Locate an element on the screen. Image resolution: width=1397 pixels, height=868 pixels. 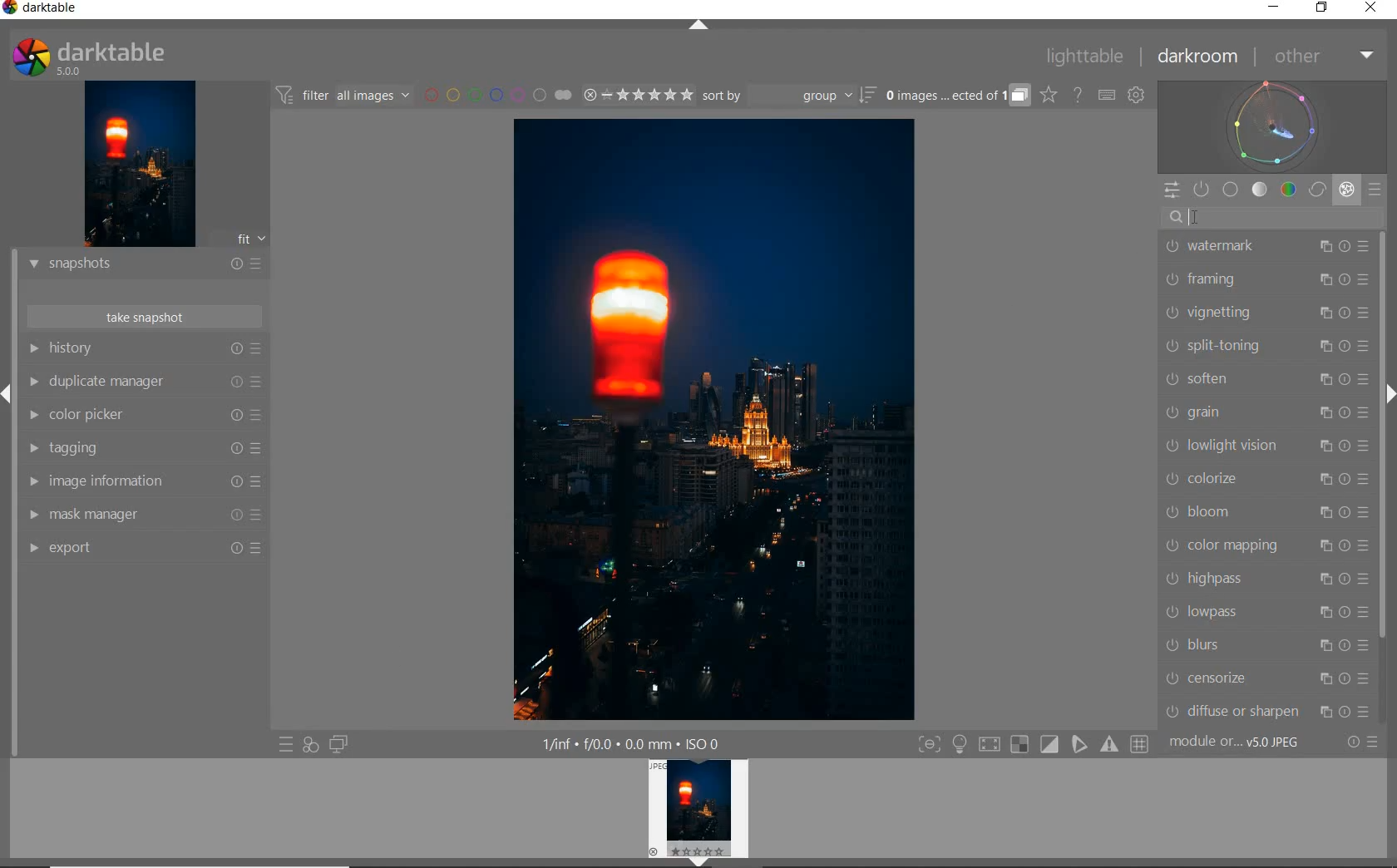
Preset and reset is located at coordinates (265, 547).